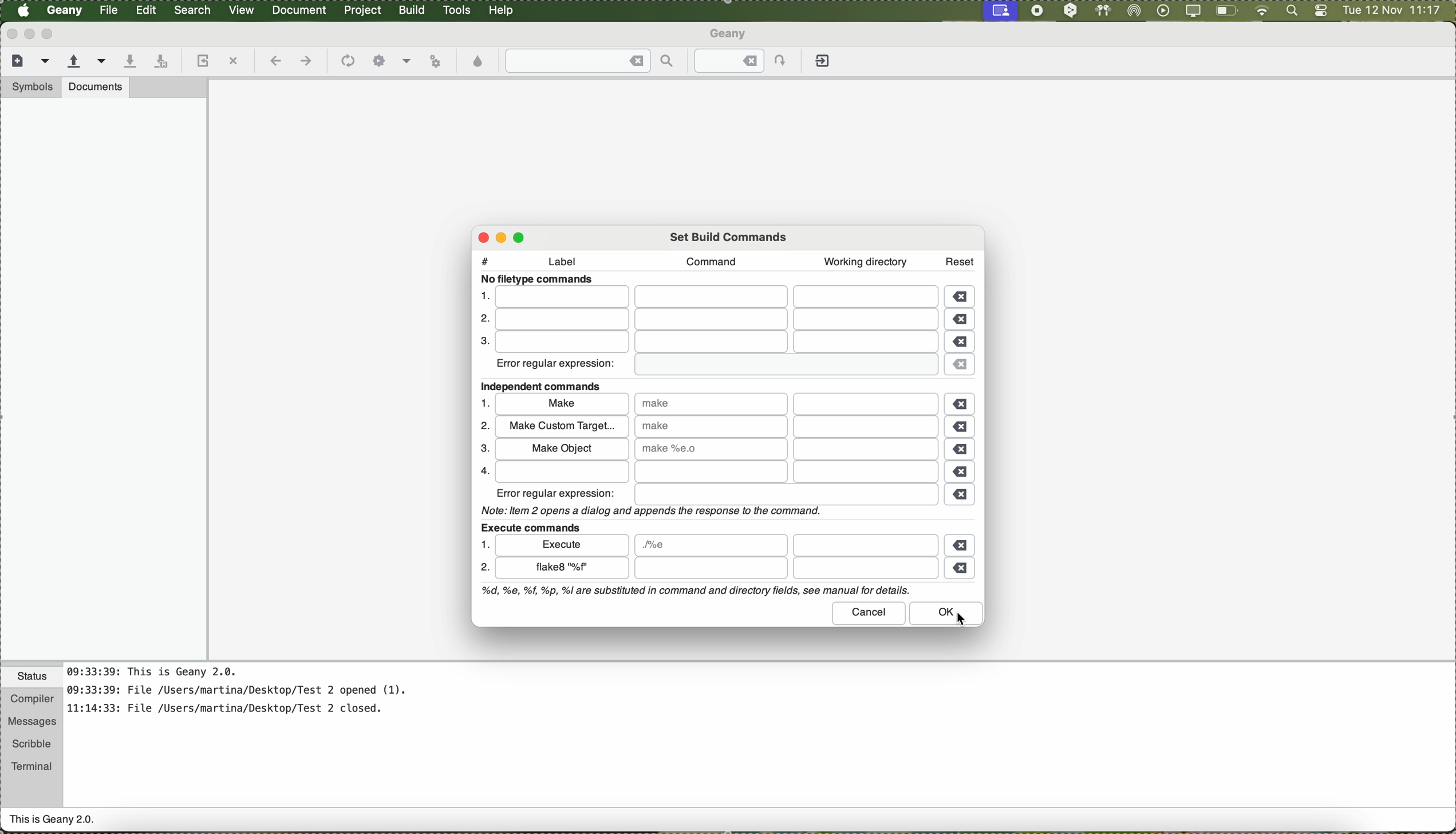  I want to click on tools, so click(457, 10).